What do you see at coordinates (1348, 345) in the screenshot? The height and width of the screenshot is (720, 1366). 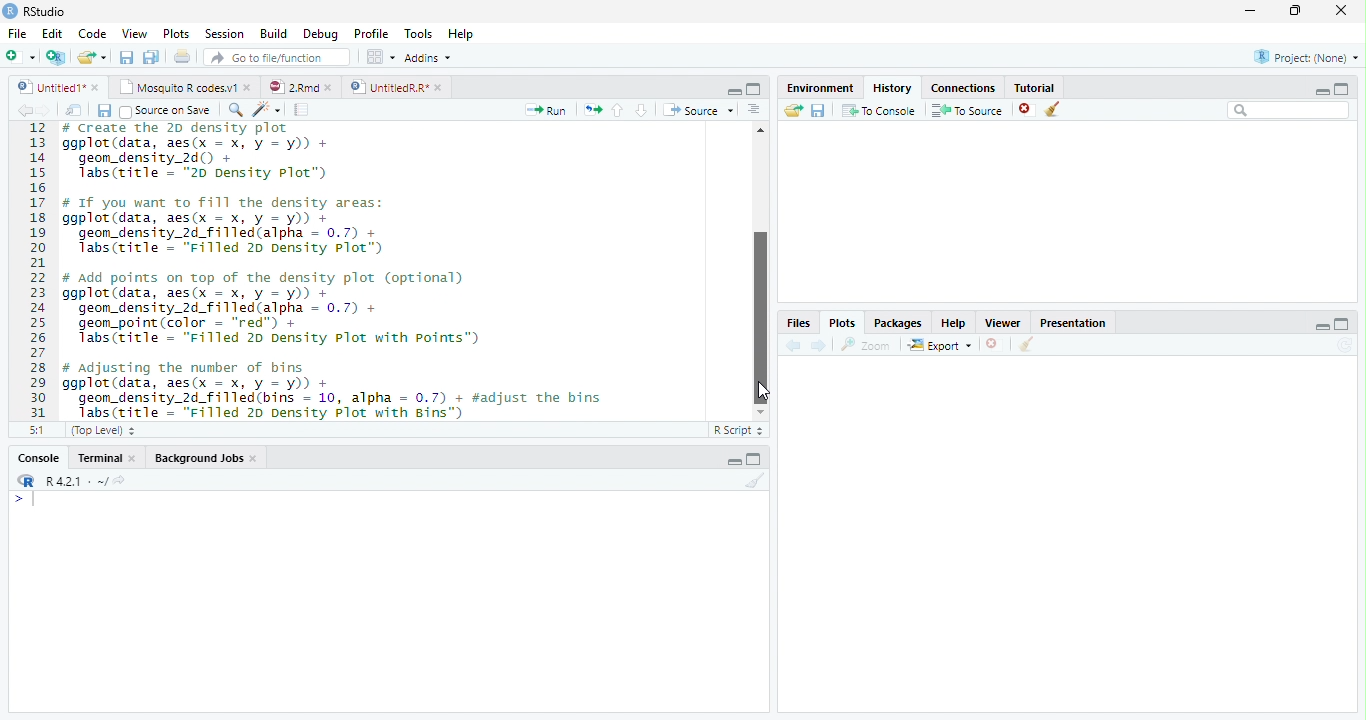 I see `Refresh` at bounding box center [1348, 345].